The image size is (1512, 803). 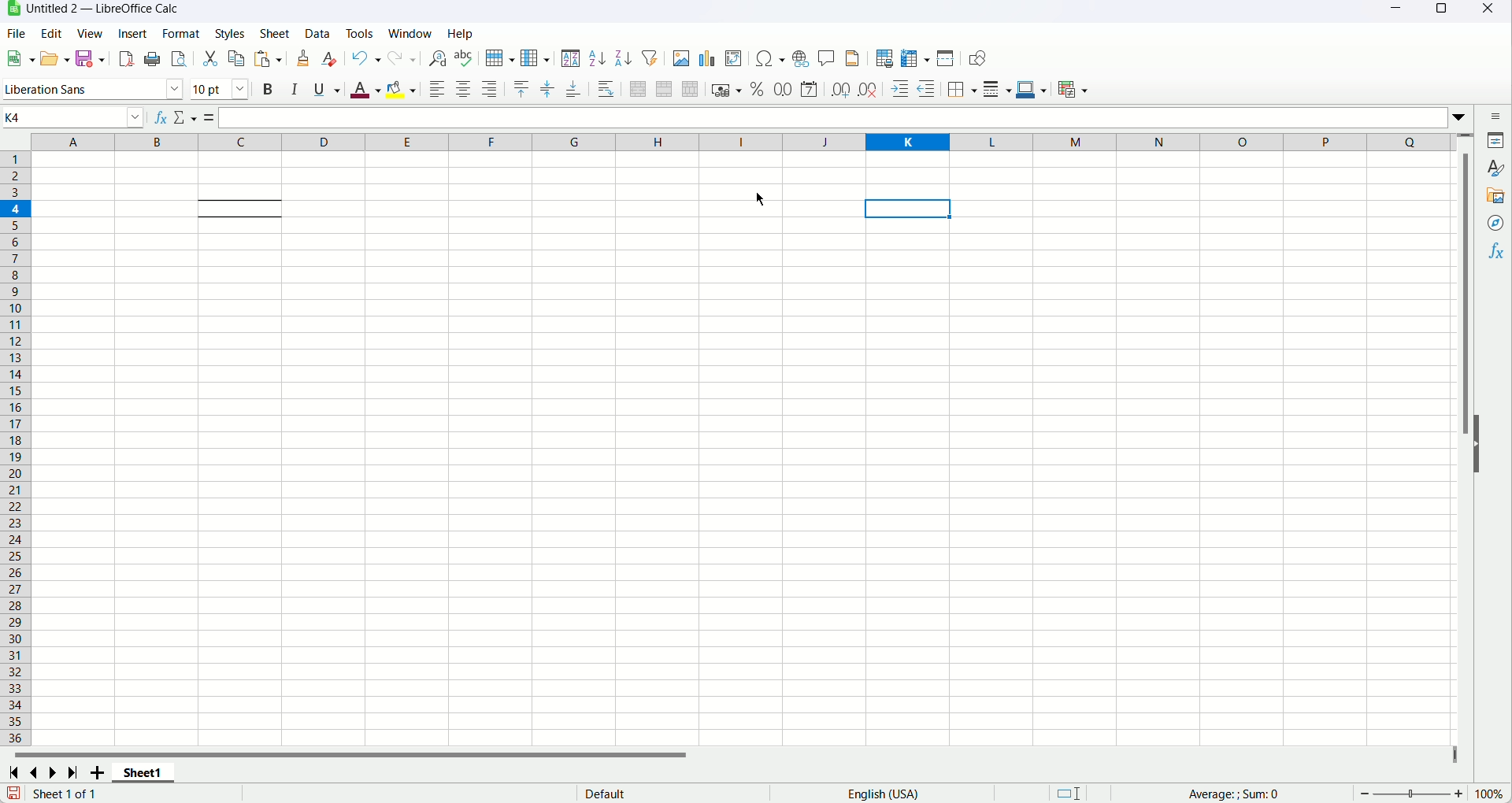 What do you see at coordinates (89, 59) in the screenshot?
I see `Save` at bounding box center [89, 59].